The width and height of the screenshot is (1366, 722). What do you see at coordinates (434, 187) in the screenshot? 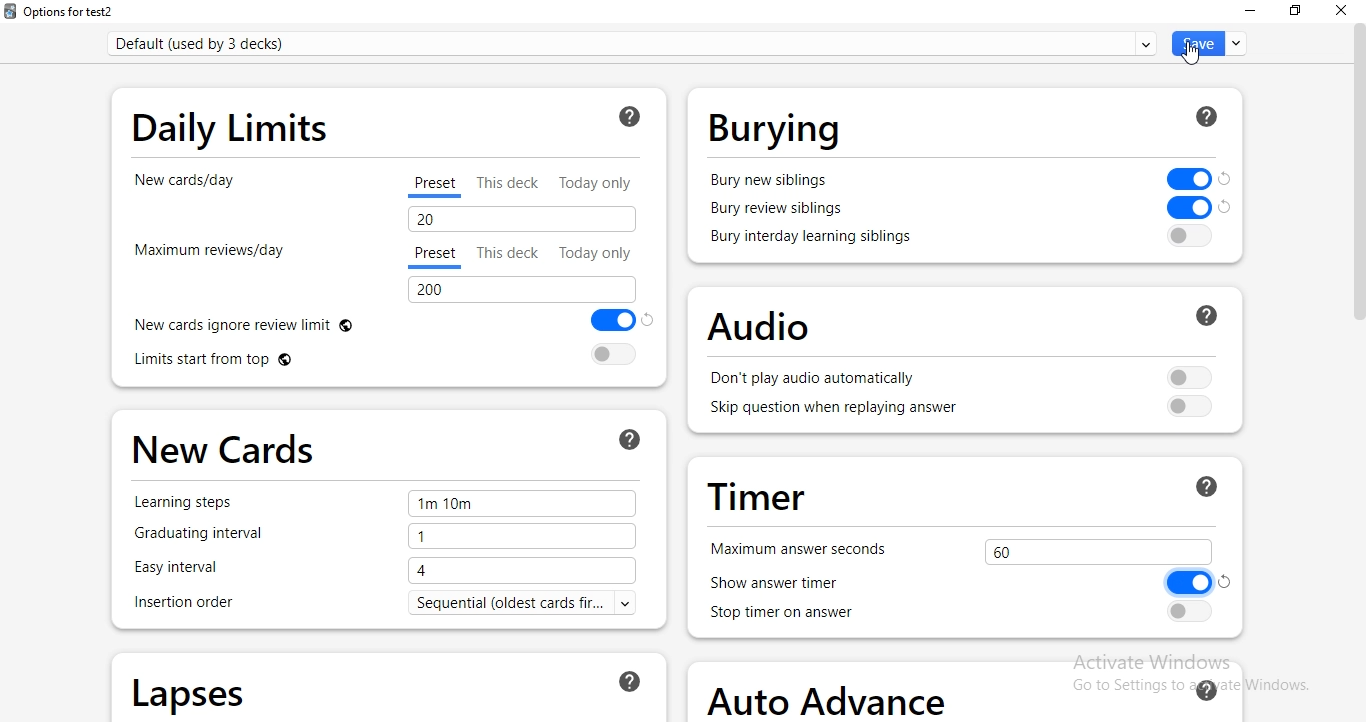
I see `preset` at bounding box center [434, 187].